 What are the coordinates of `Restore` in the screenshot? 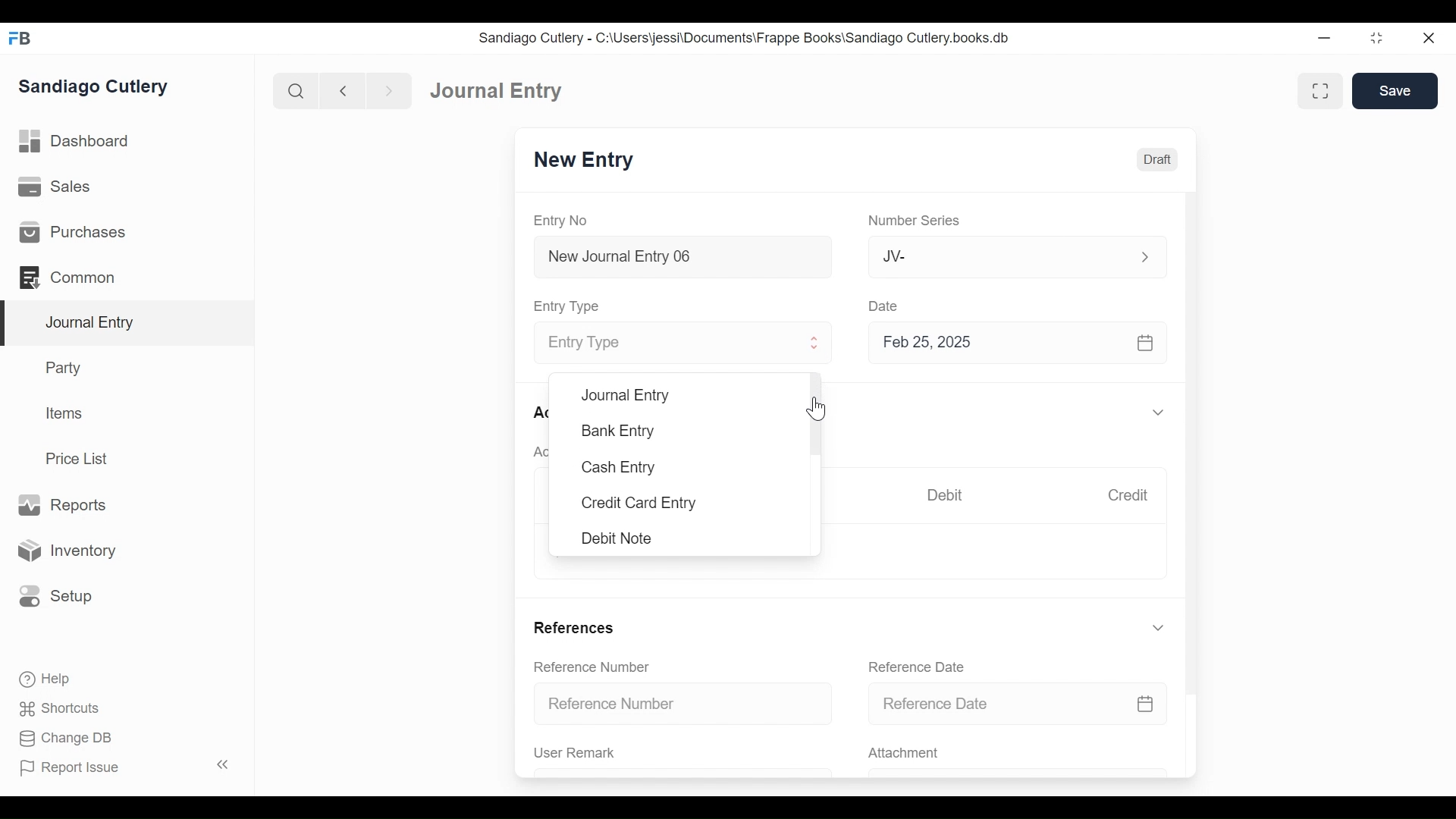 It's located at (1379, 37).